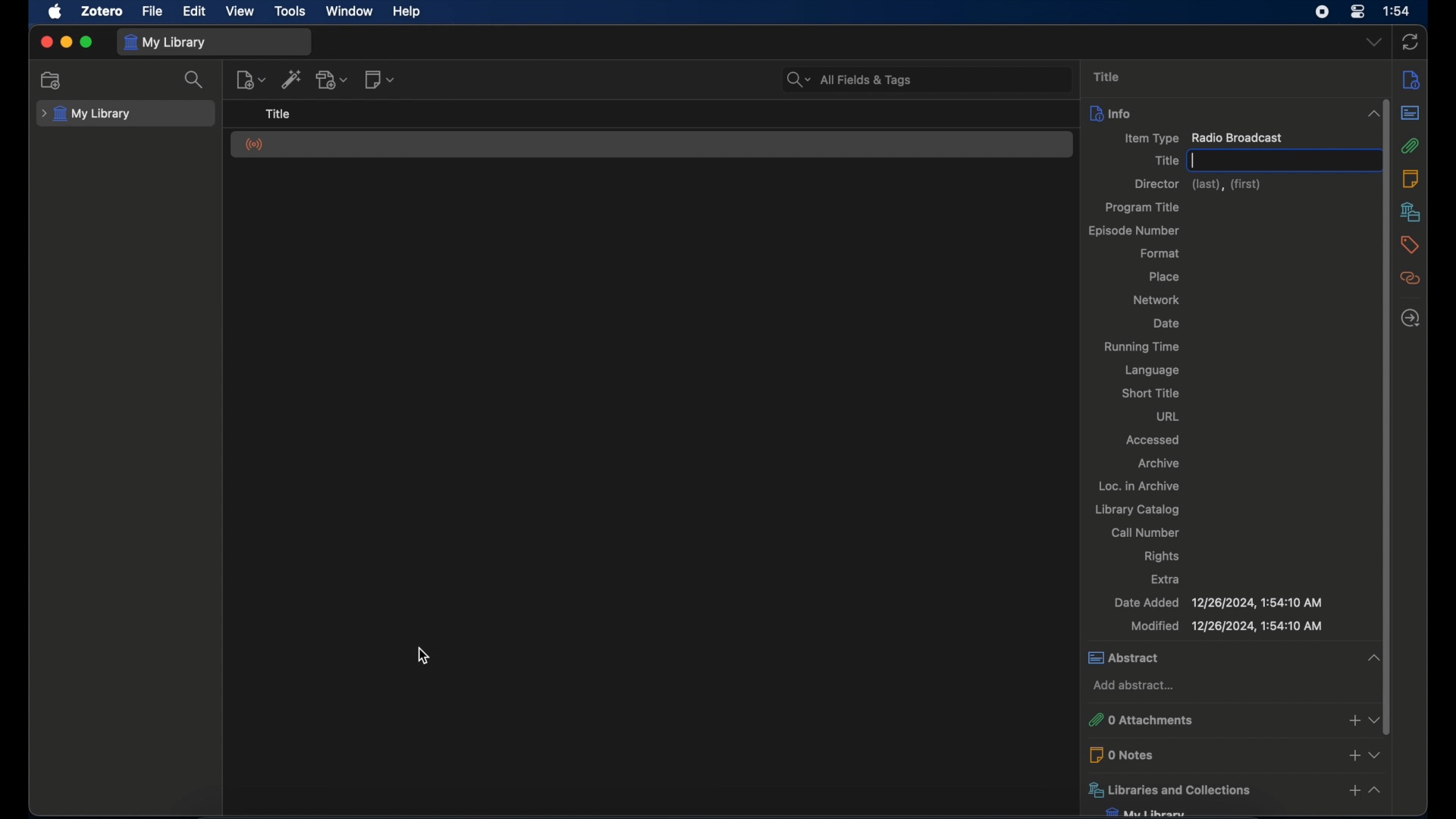  Describe the element at coordinates (1398, 12) in the screenshot. I see `1:54` at that location.